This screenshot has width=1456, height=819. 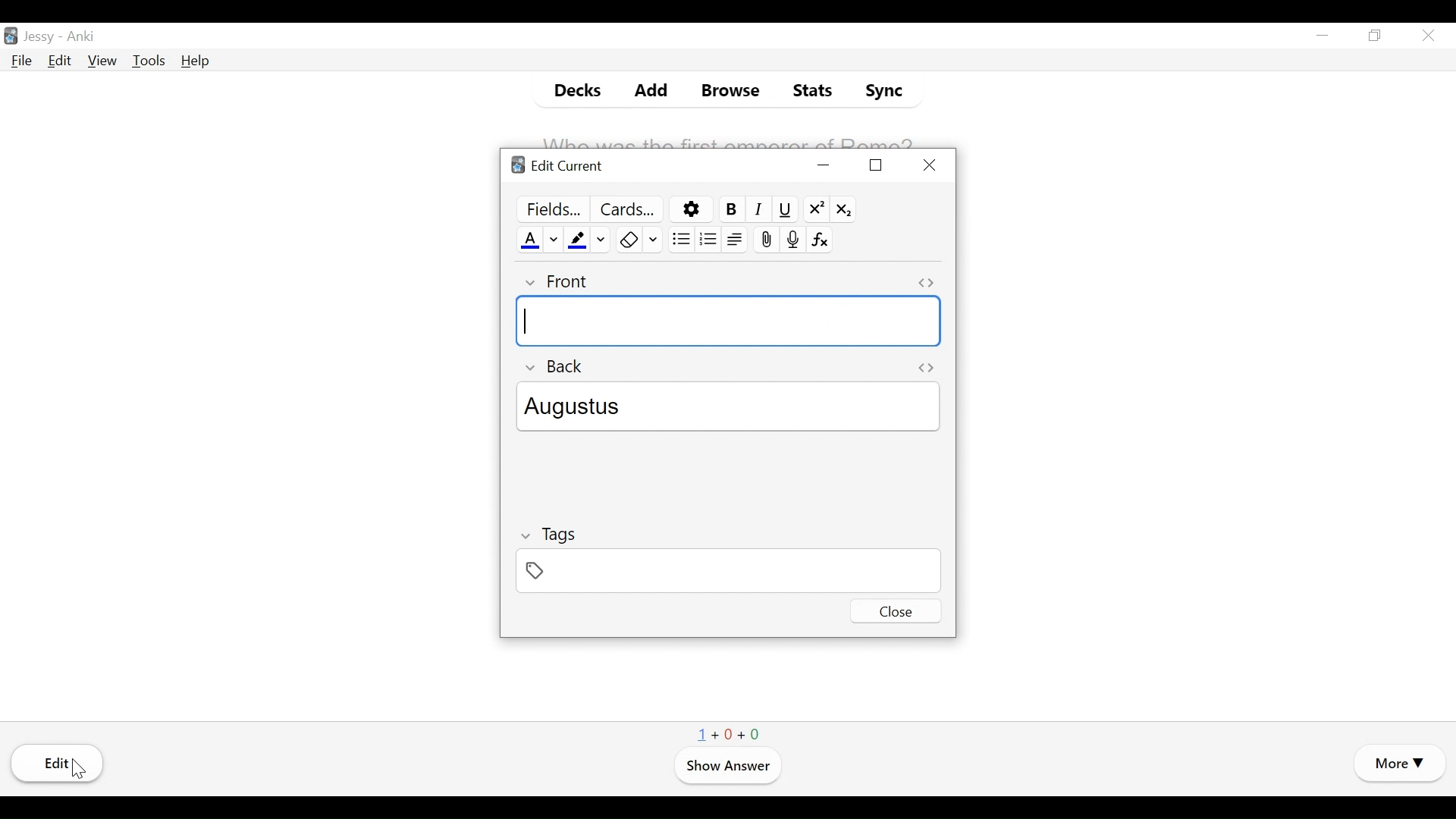 What do you see at coordinates (529, 239) in the screenshot?
I see `Text Color` at bounding box center [529, 239].